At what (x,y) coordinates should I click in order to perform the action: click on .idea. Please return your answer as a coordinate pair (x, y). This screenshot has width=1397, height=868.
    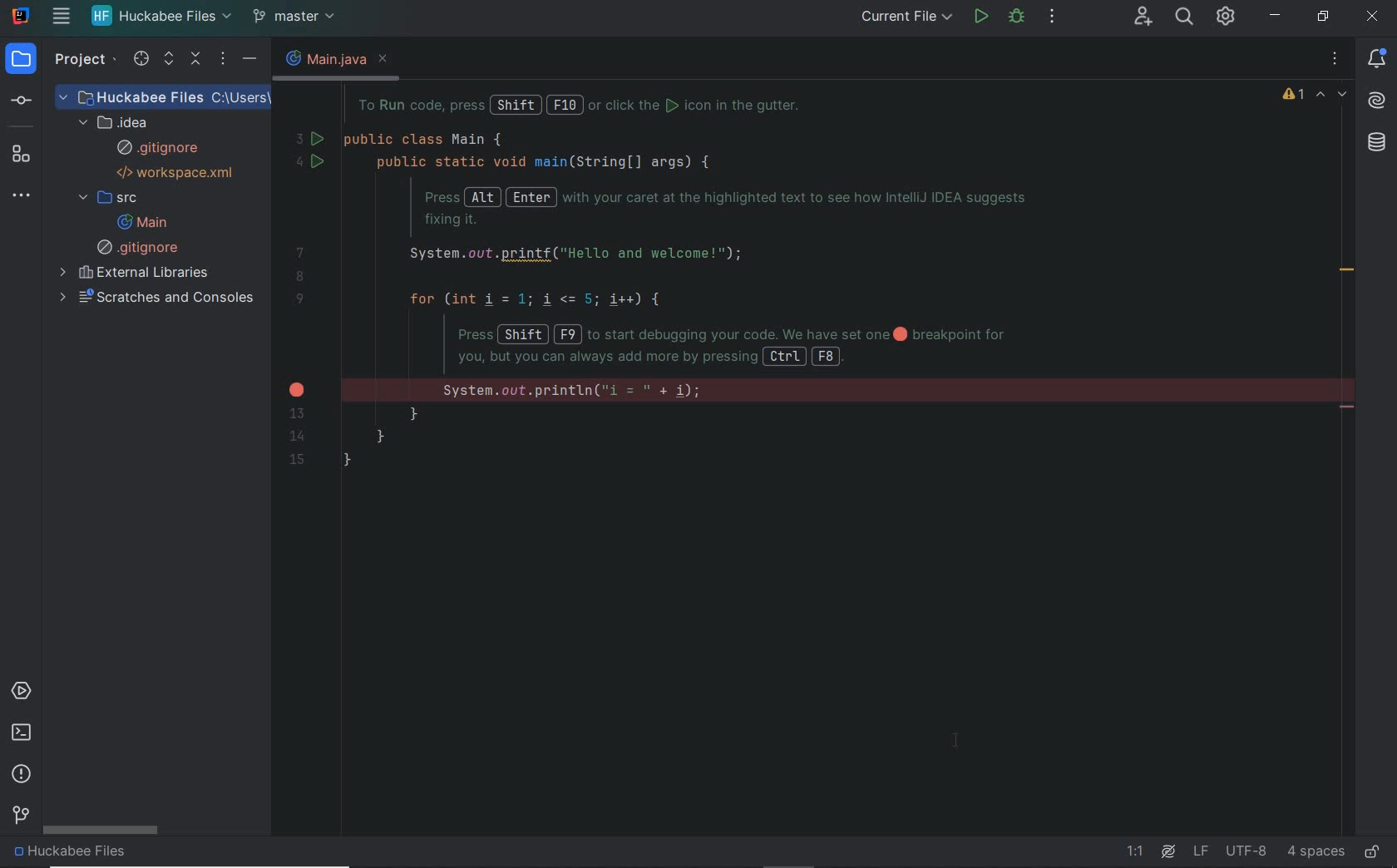
    Looking at the image, I should click on (118, 122).